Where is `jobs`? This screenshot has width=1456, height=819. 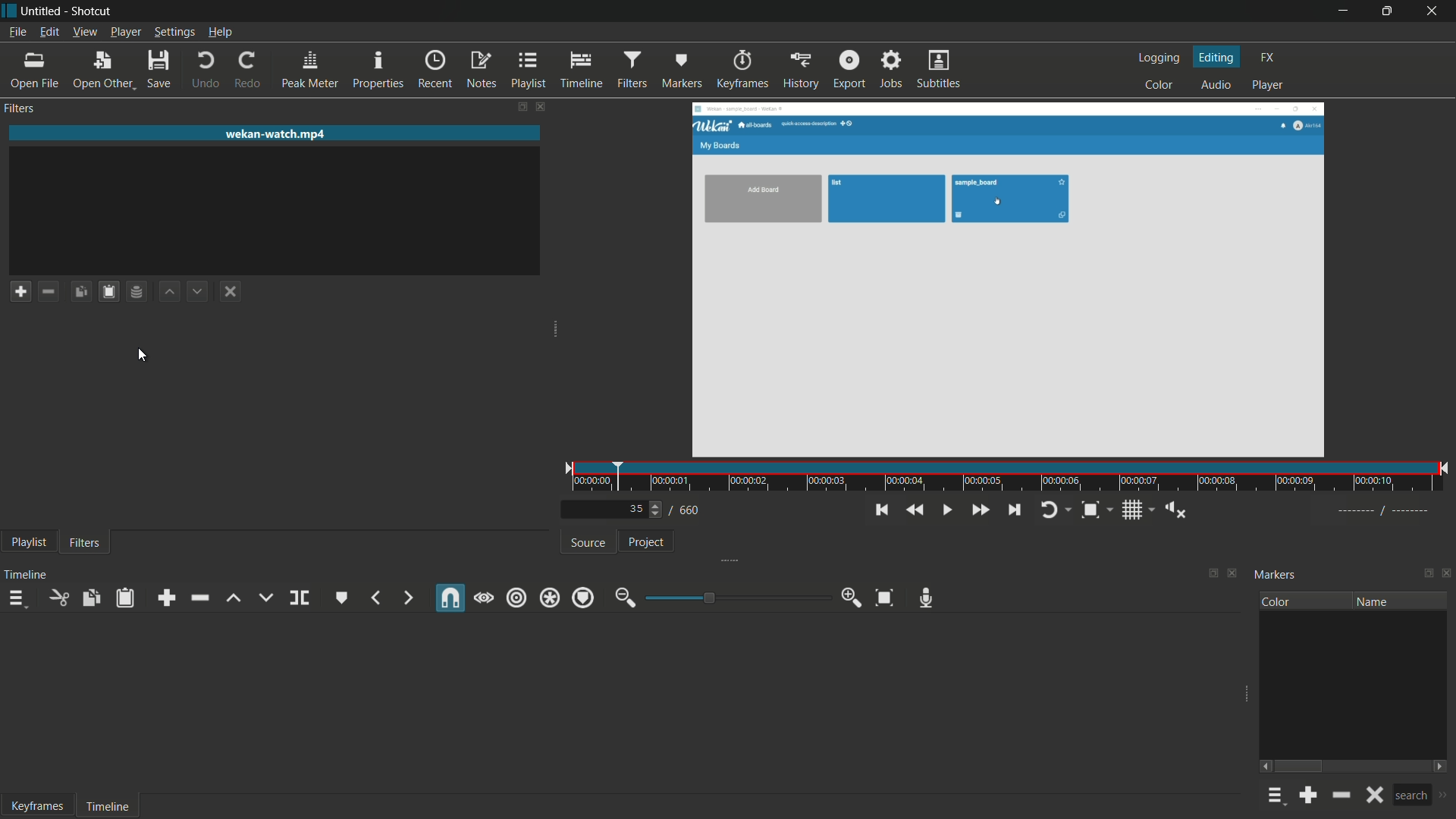
jobs is located at coordinates (889, 70).